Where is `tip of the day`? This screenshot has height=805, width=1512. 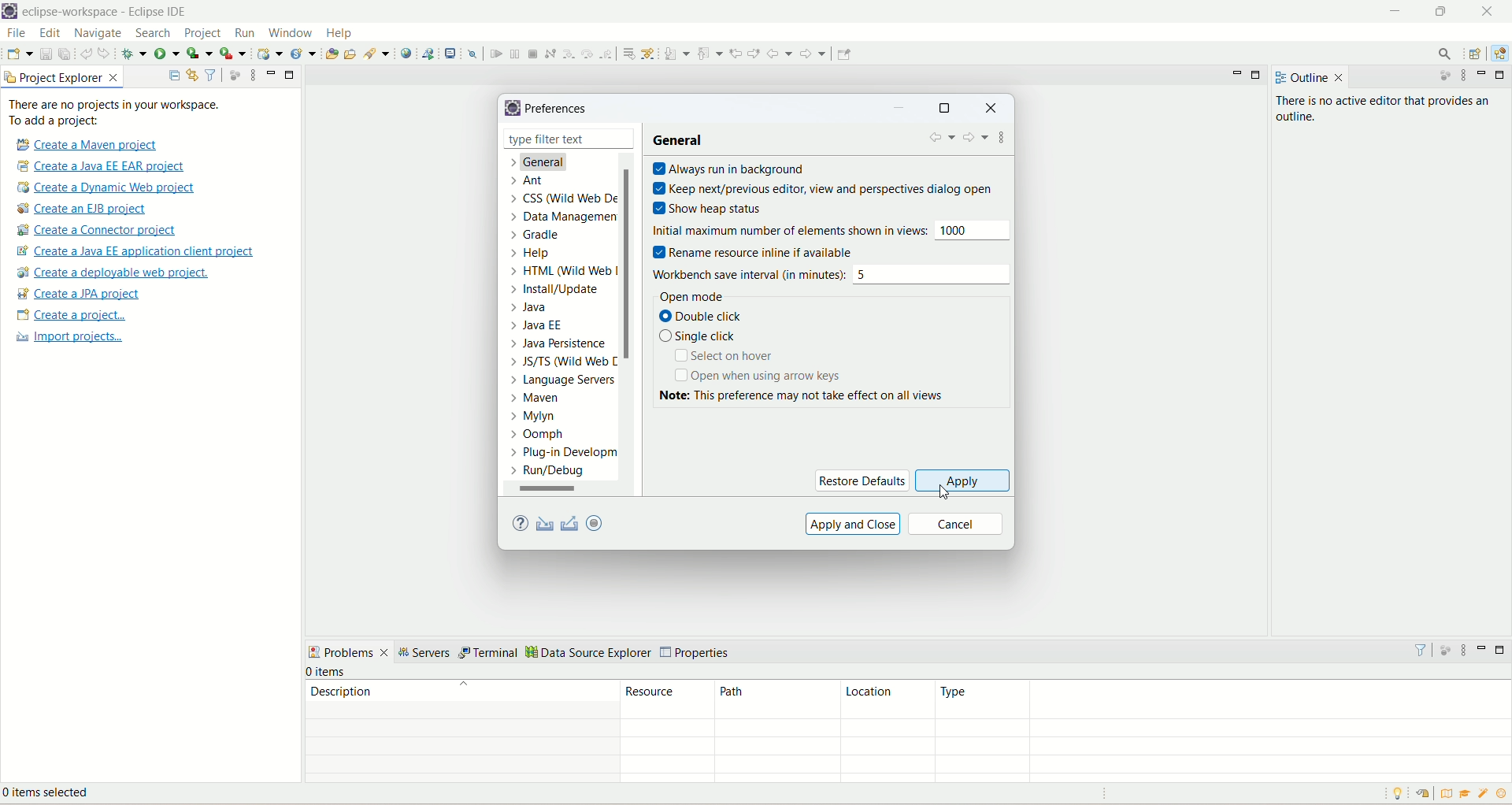
tip of the day is located at coordinates (1502, 793).